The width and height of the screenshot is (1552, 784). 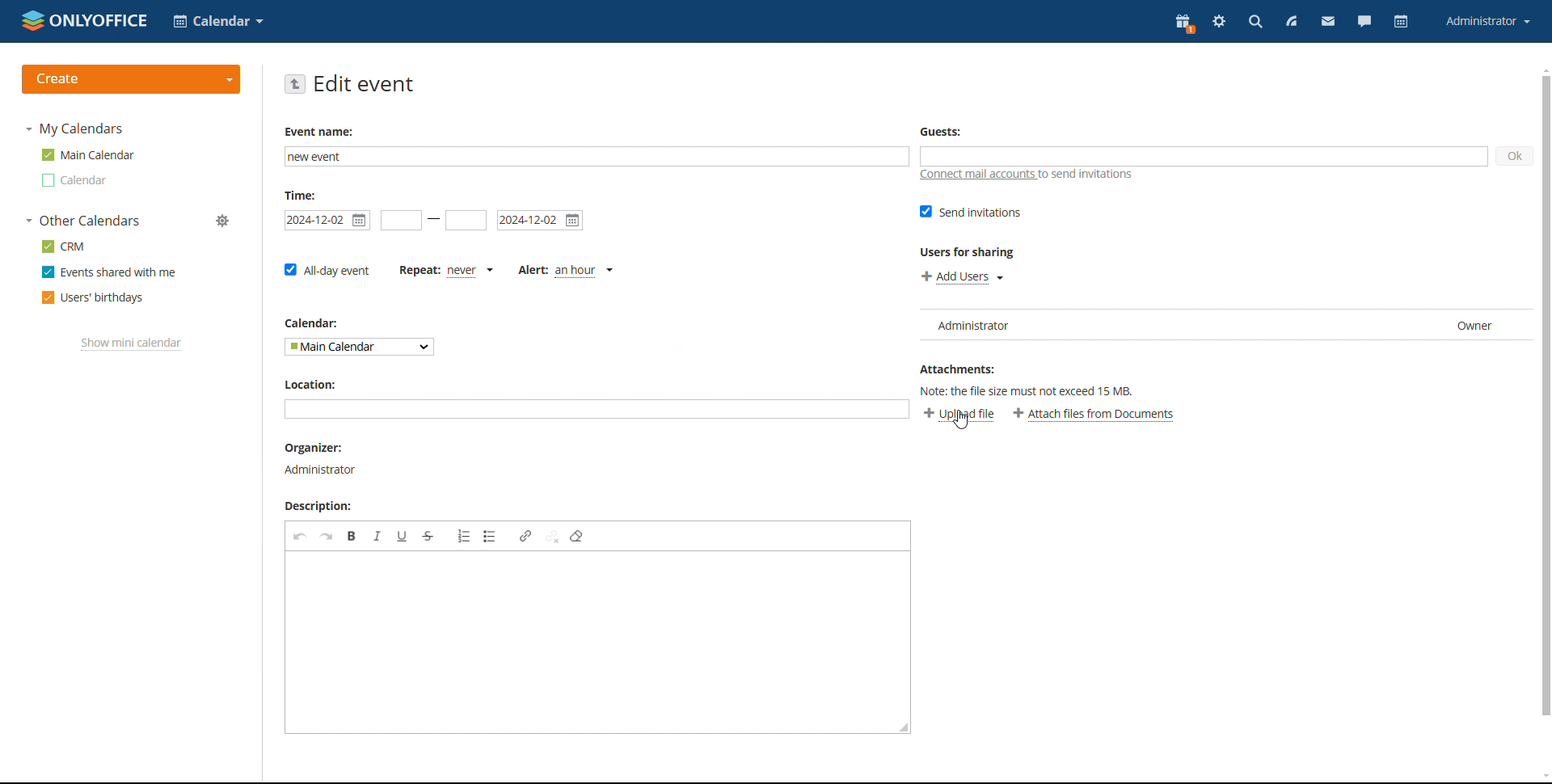 What do you see at coordinates (61, 246) in the screenshot?
I see `crm` at bounding box center [61, 246].